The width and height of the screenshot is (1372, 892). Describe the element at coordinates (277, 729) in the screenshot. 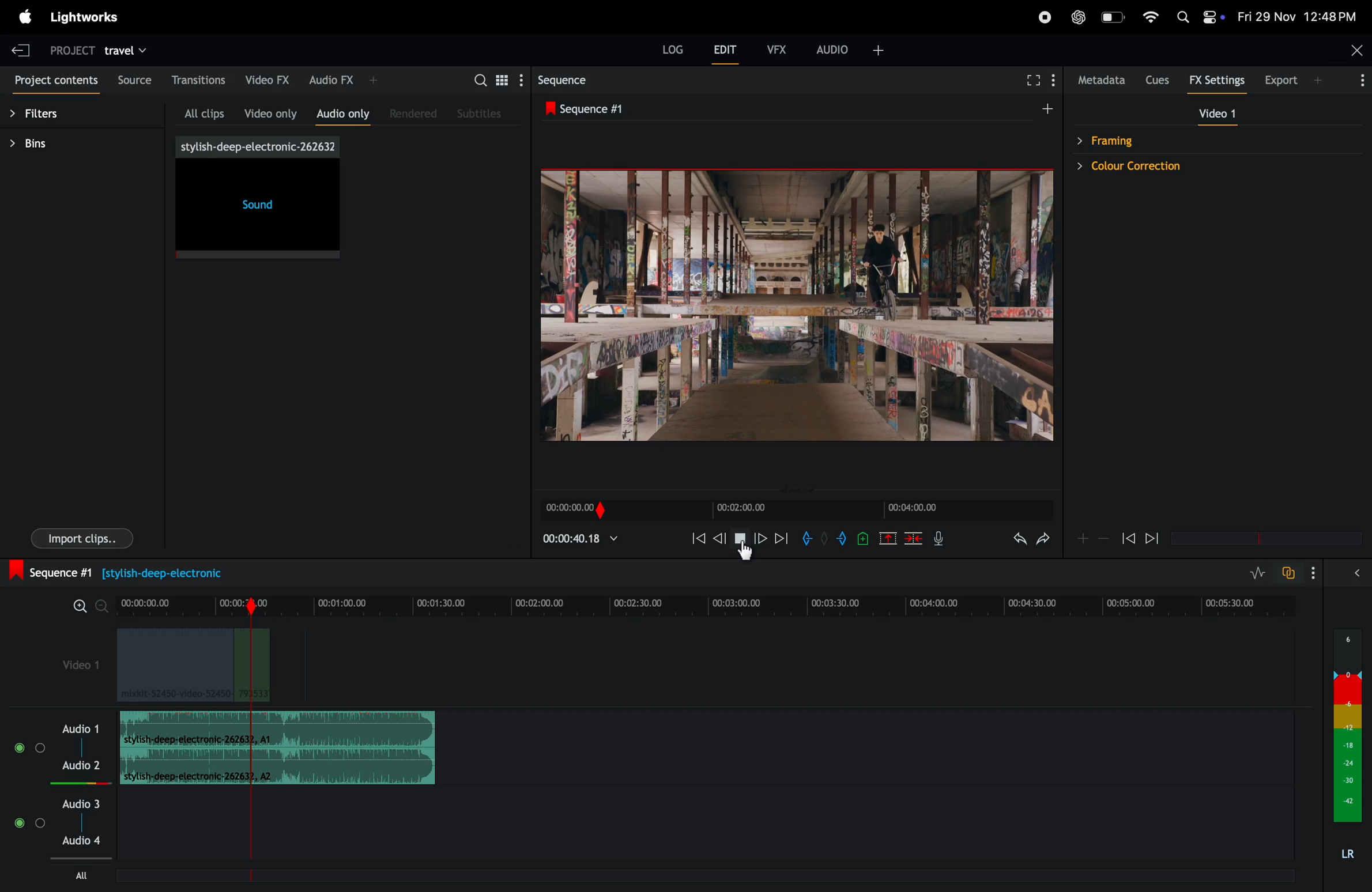

I see `audio. clip` at that location.